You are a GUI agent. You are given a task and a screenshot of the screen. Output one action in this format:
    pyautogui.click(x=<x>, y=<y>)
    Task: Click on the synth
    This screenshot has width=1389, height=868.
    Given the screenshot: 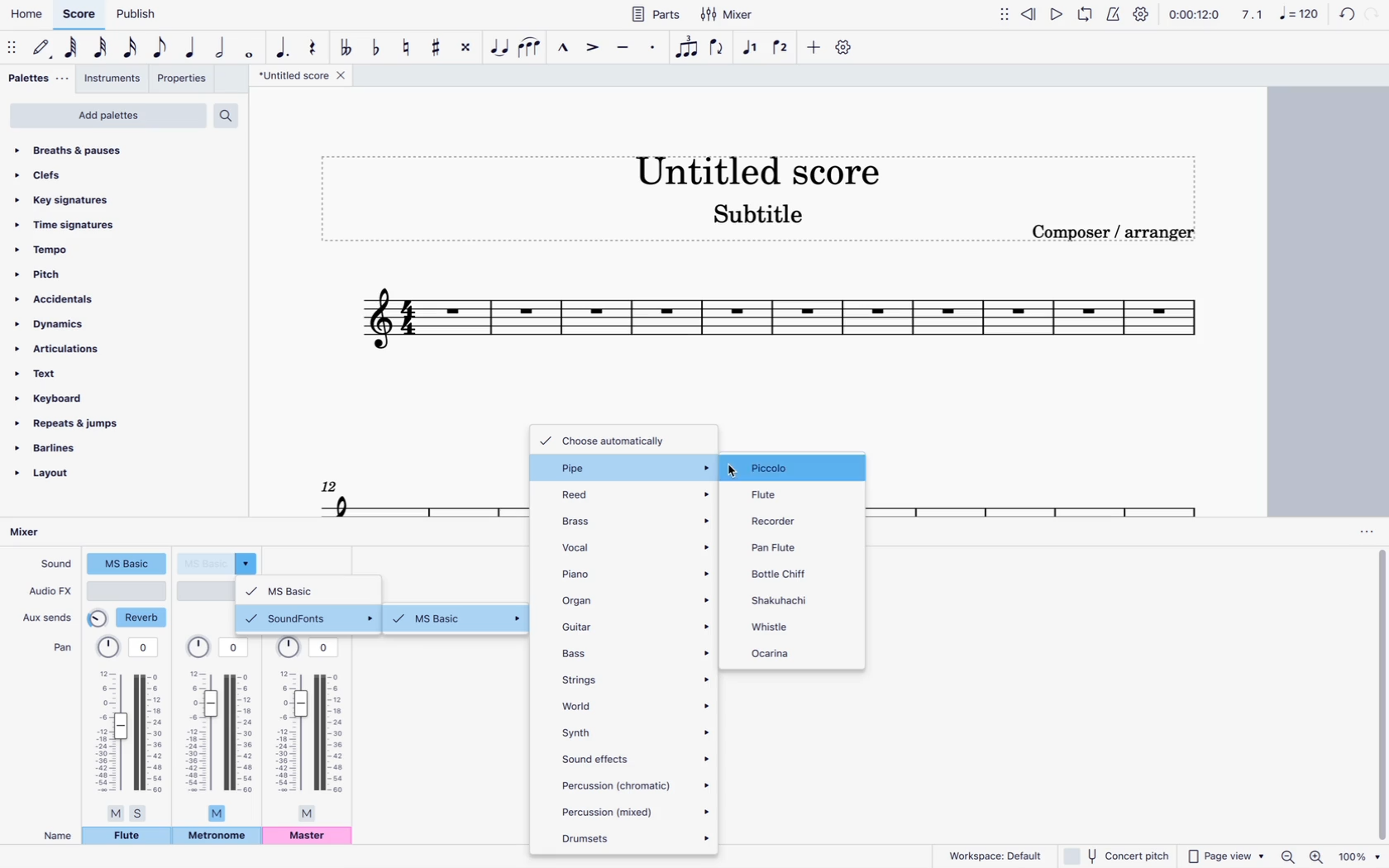 What is the action you would take?
    pyautogui.click(x=638, y=732)
    